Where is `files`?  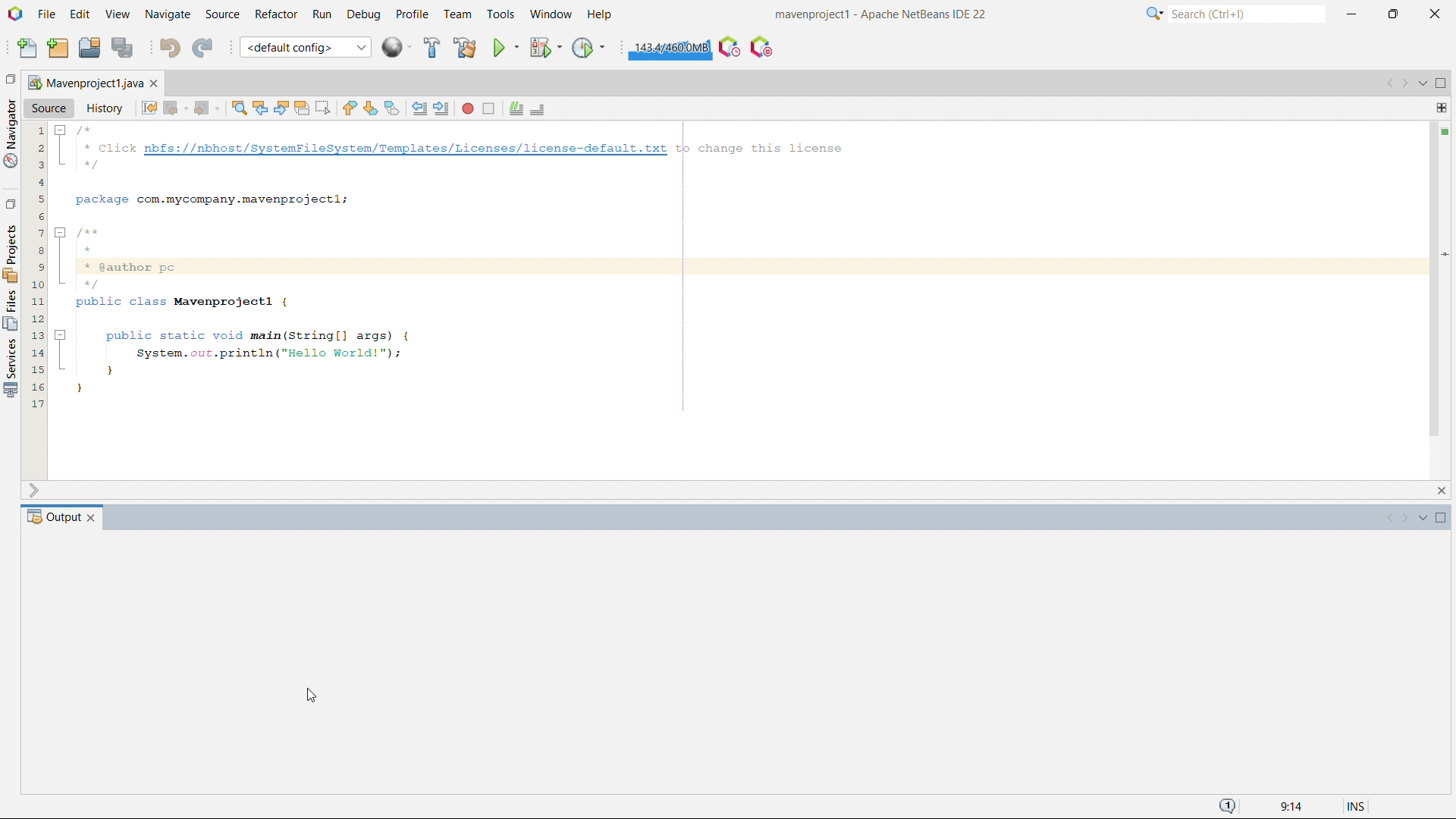 files is located at coordinates (11, 310).